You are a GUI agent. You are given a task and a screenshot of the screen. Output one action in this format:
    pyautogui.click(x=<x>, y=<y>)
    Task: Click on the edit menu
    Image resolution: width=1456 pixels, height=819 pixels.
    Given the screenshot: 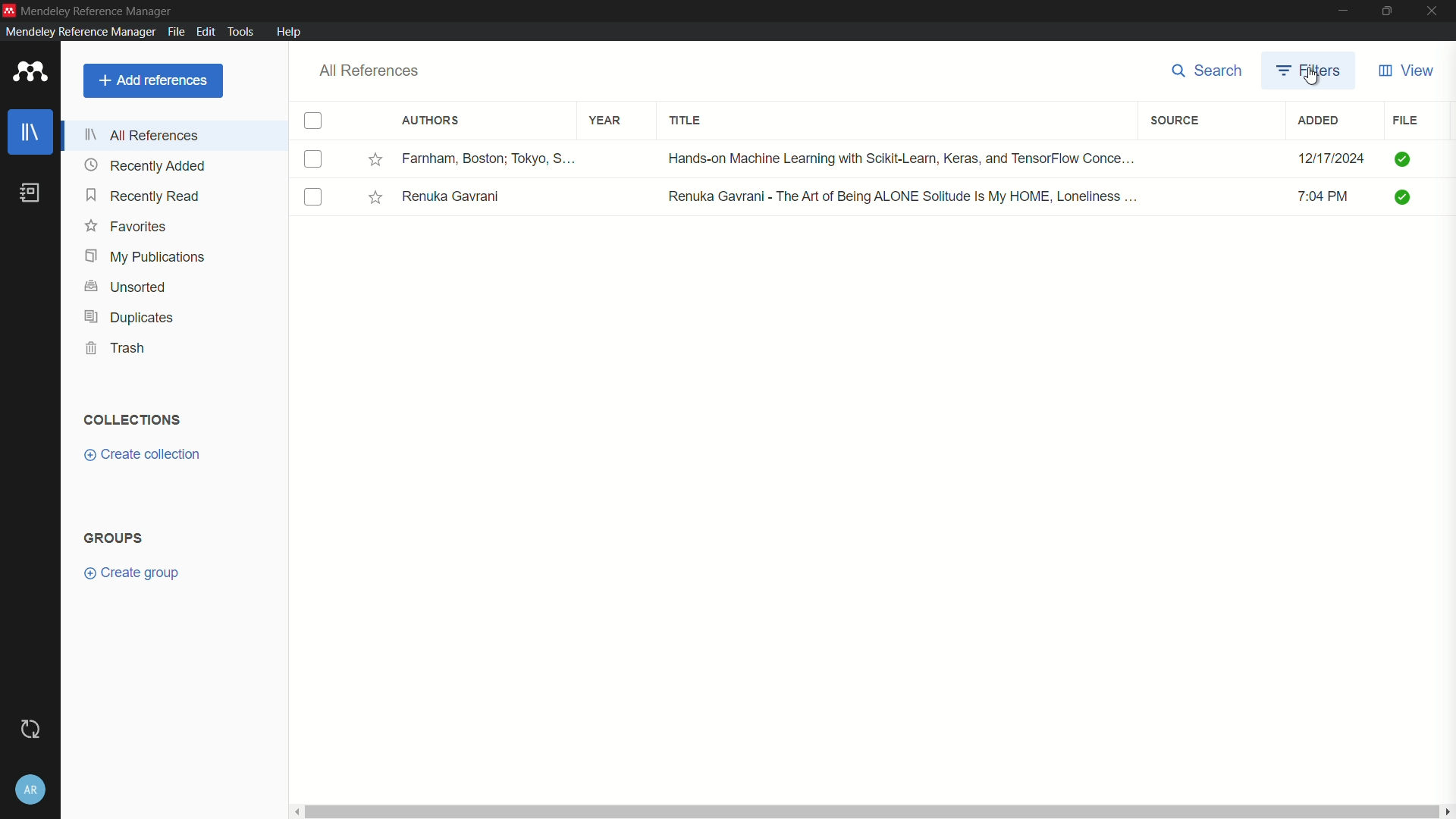 What is the action you would take?
    pyautogui.click(x=206, y=30)
    